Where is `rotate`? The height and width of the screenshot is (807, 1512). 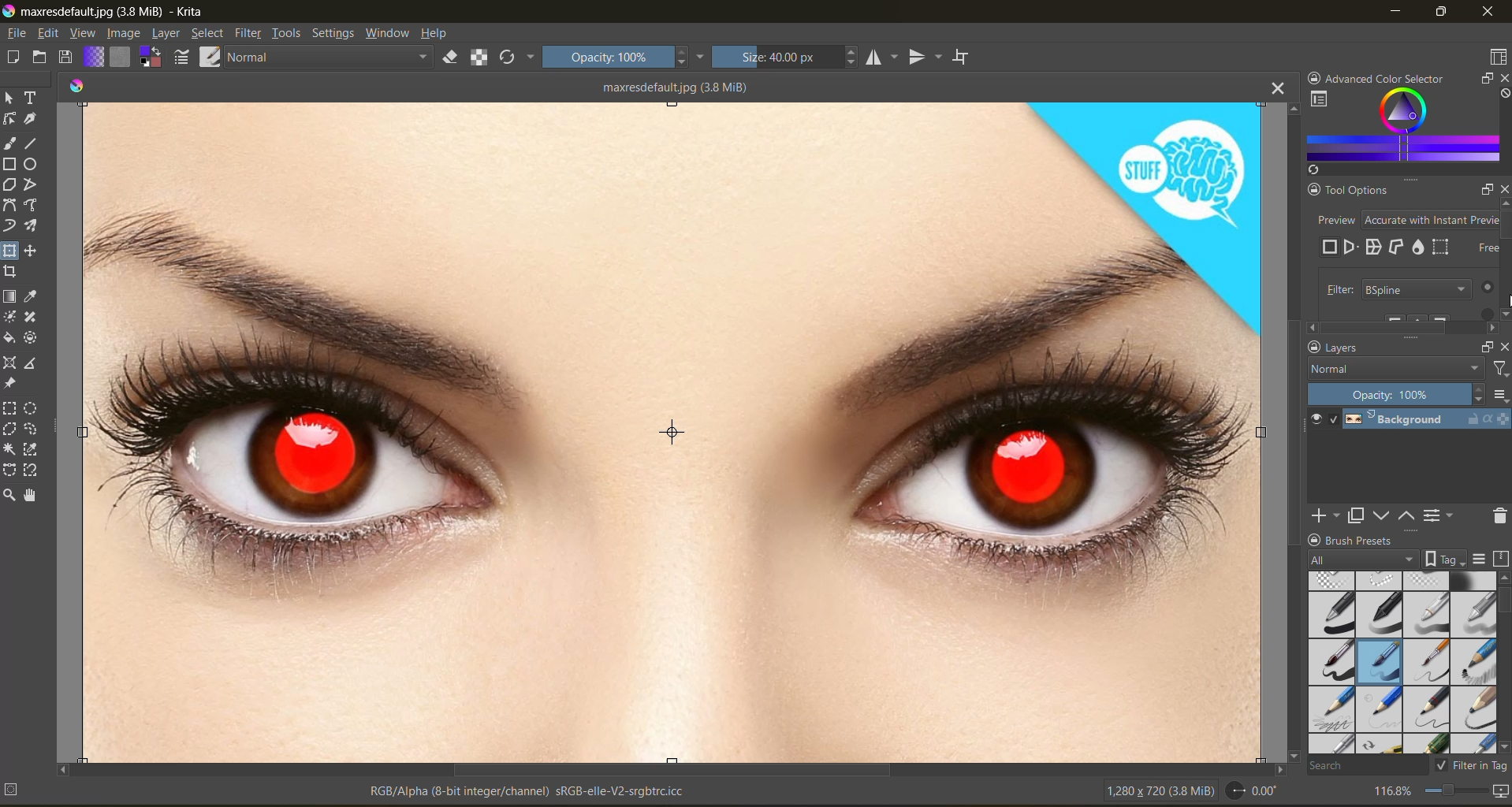
rotate is located at coordinates (1253, 791).